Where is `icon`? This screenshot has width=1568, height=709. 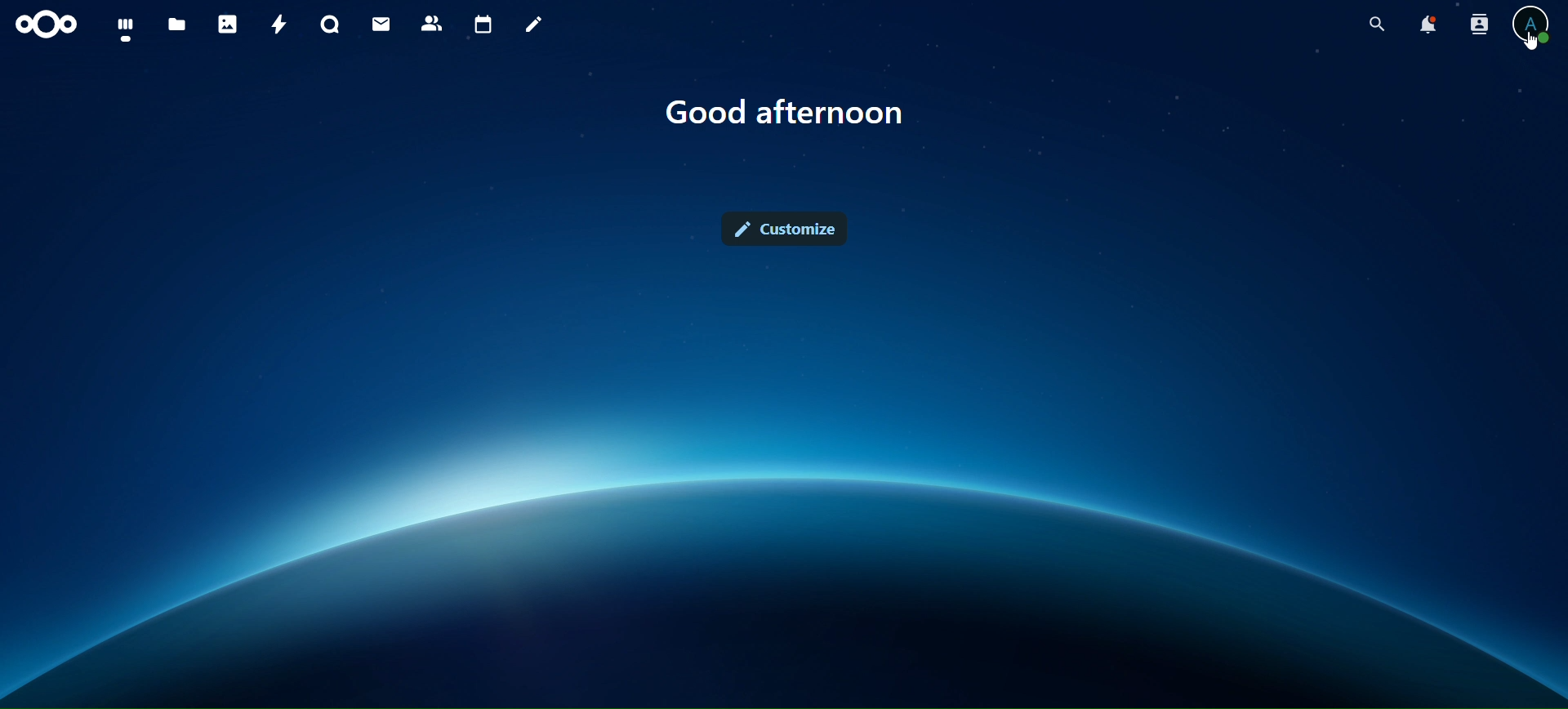
icon is located at coordinates (44, 26).